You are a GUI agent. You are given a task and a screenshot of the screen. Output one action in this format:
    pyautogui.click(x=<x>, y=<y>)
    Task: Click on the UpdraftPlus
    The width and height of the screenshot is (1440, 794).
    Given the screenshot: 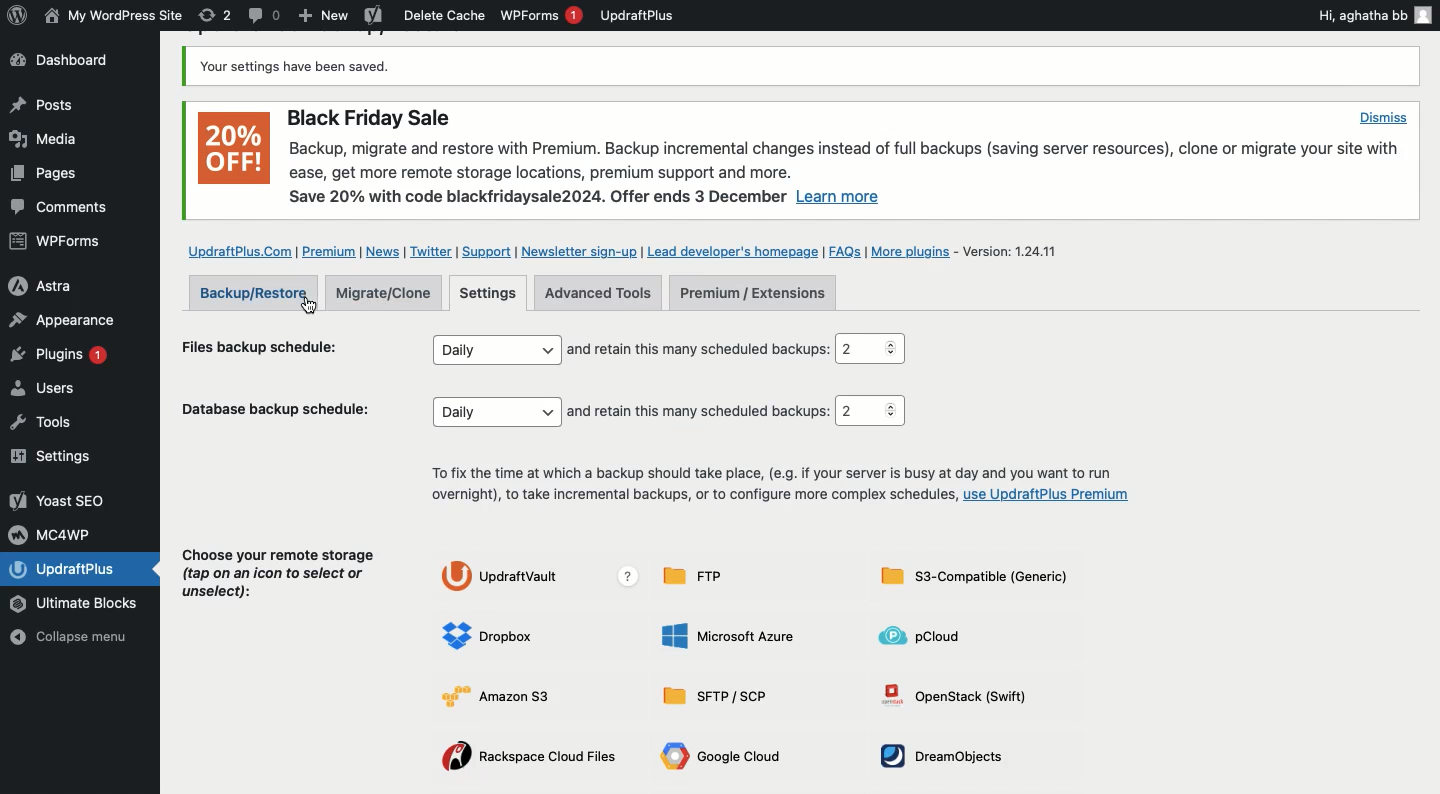 What is the action you would take?
    pyautogui.click(x=638, y=15)
    